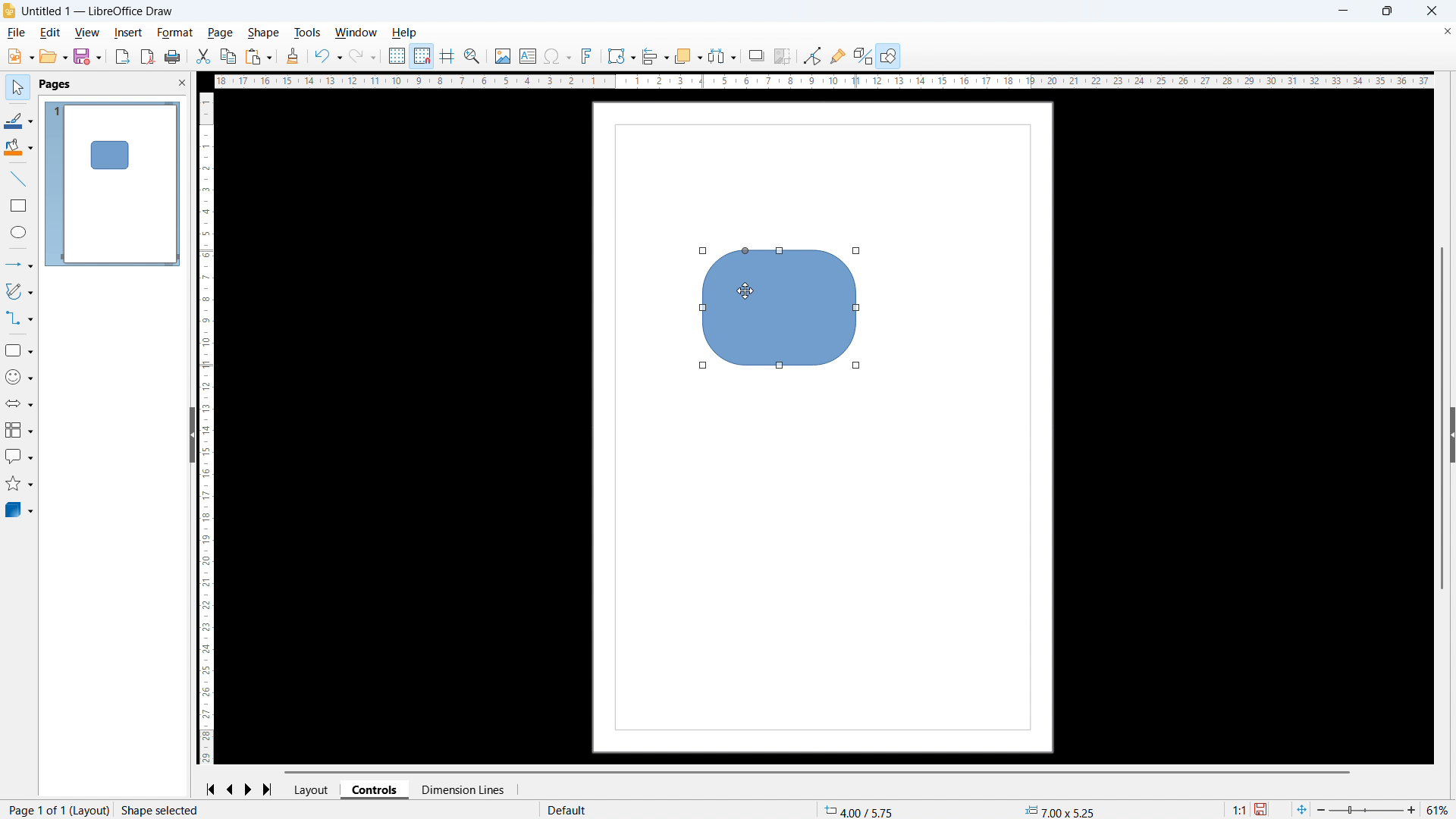 The image size is (1456, 819). Describe the element at coordinates (356, 32) in the screenshot. I see `Window ` at that location.